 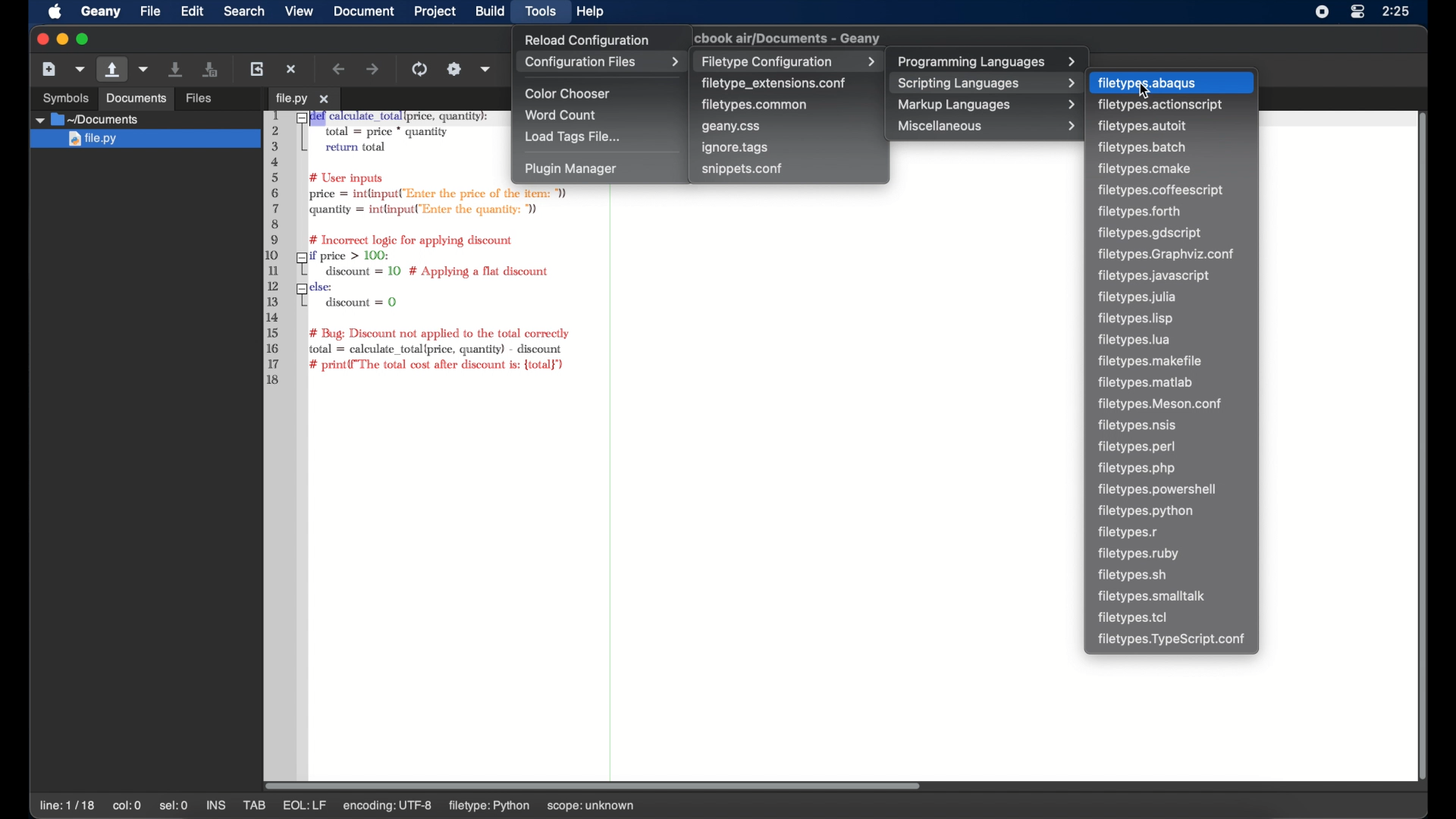 I want to click on build, so click(x=490, y=11).